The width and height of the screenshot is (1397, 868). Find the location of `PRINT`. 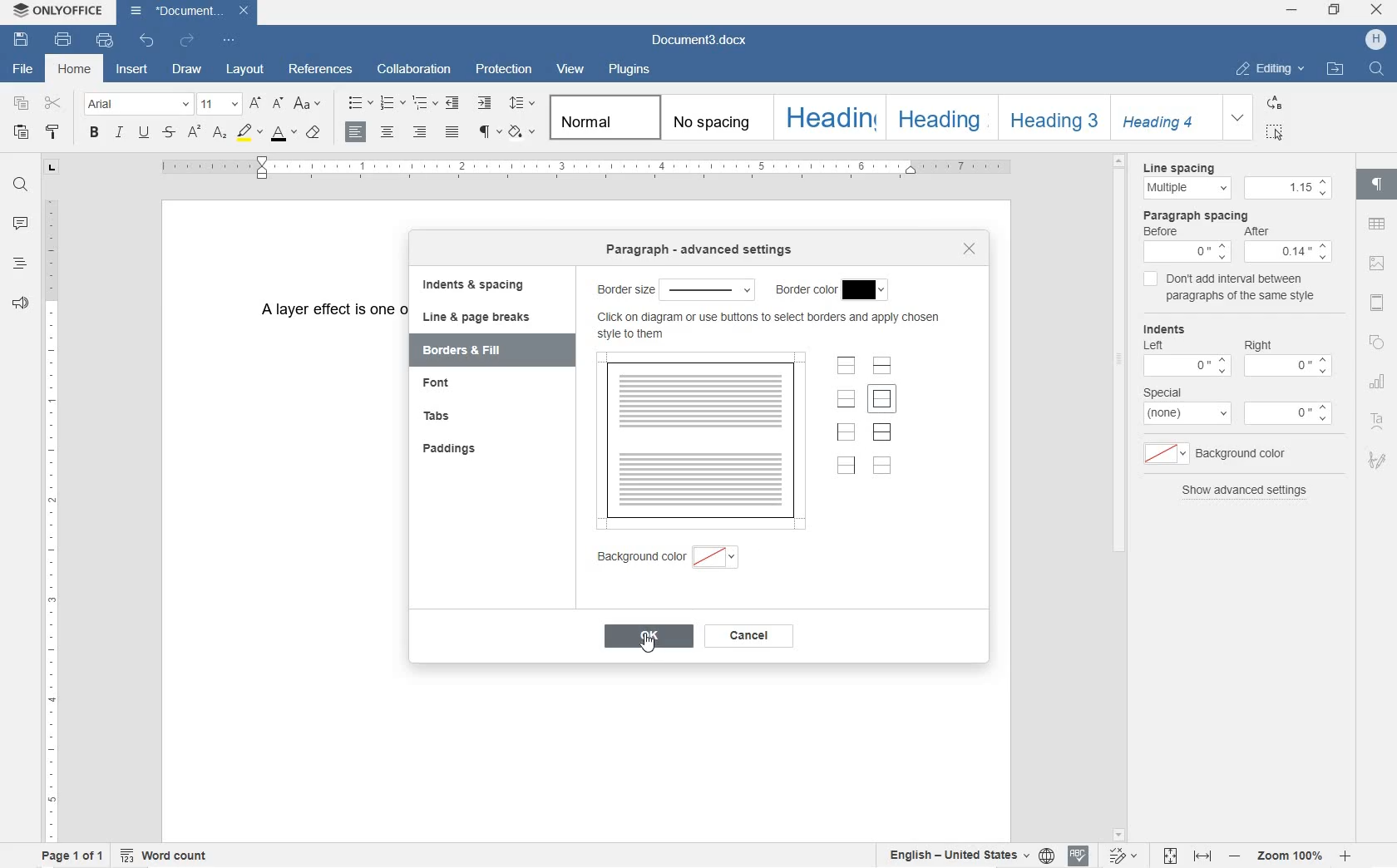

PRINT is located at coordinates (64, 40).